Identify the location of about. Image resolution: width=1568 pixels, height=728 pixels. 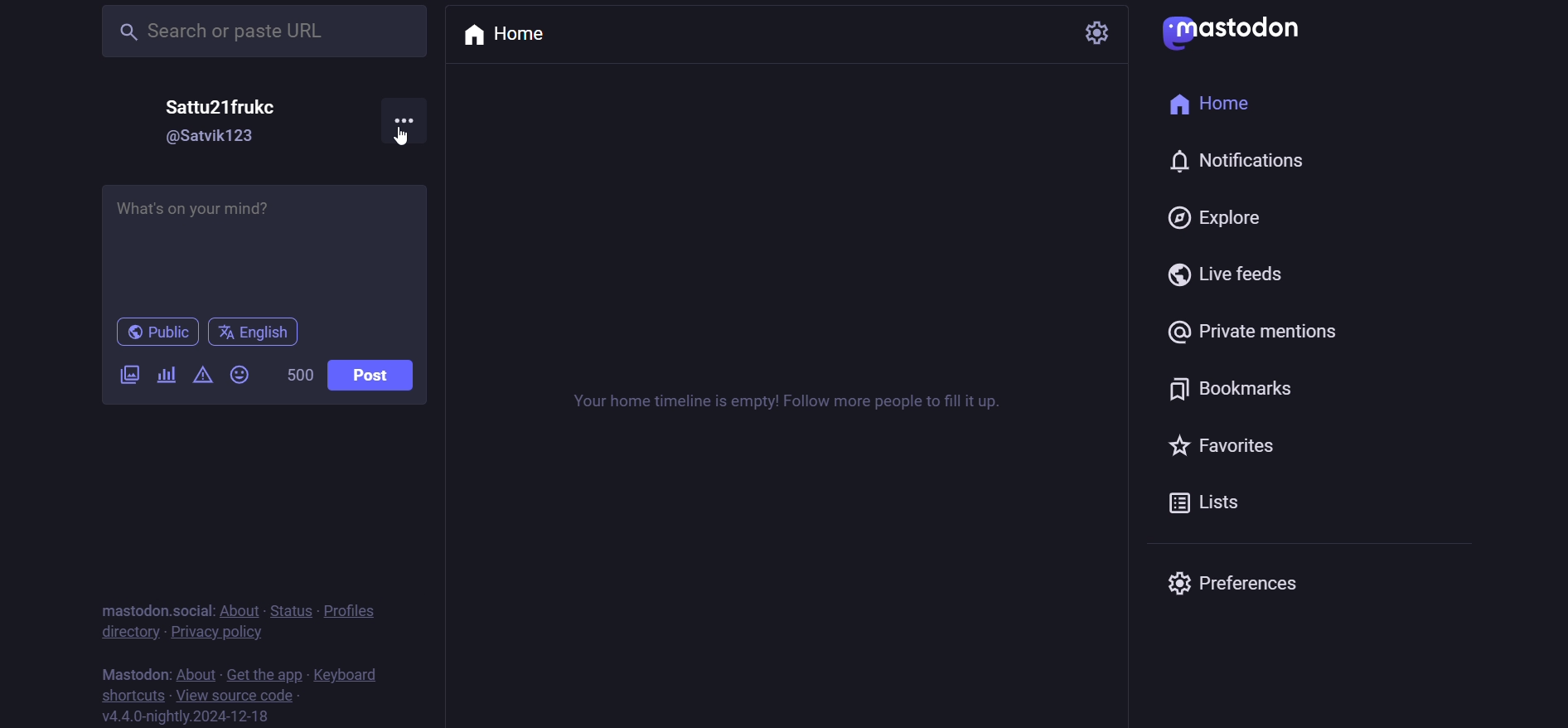
(236, 608).